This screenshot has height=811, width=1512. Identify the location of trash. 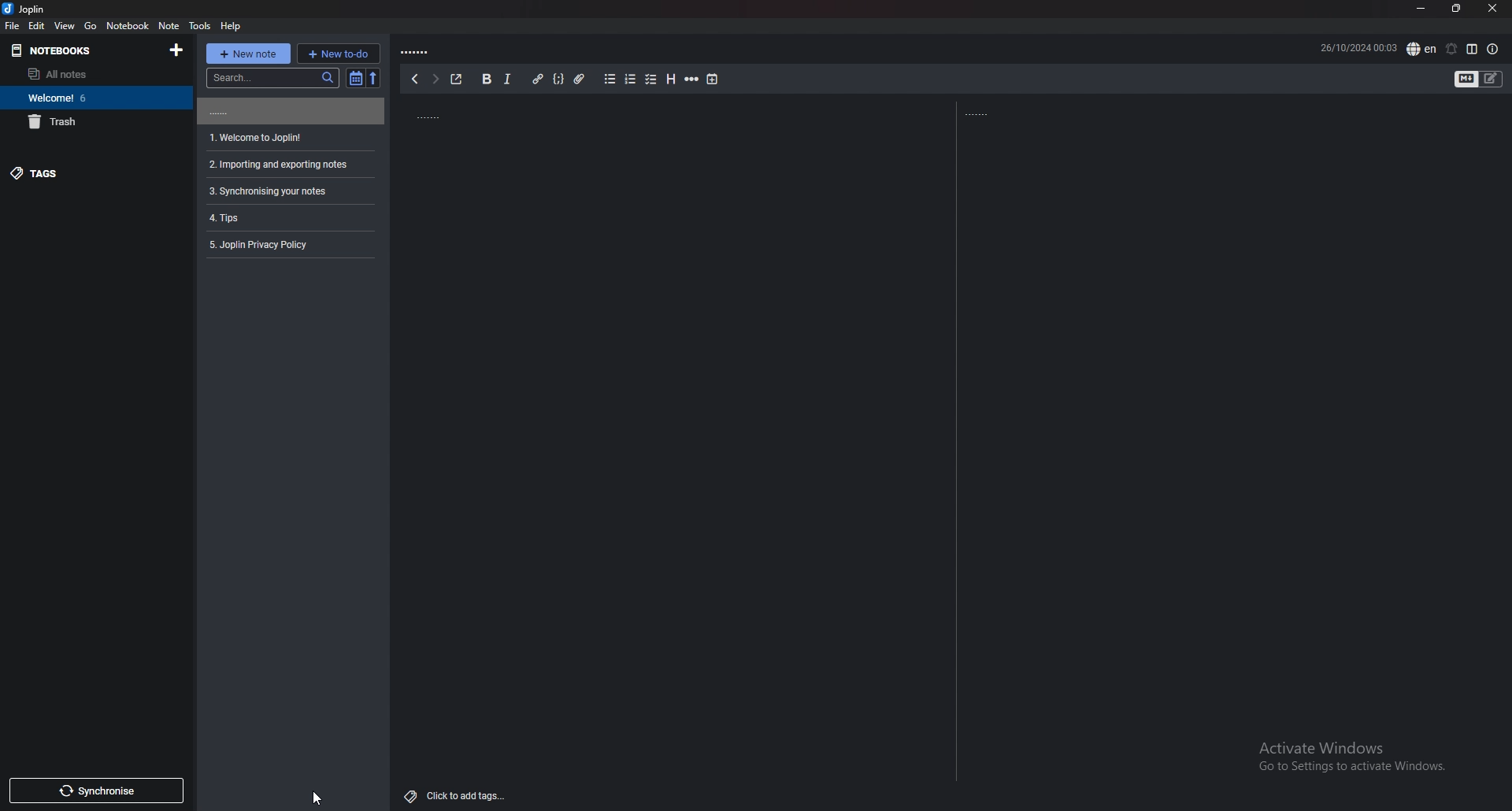
(91, 122).